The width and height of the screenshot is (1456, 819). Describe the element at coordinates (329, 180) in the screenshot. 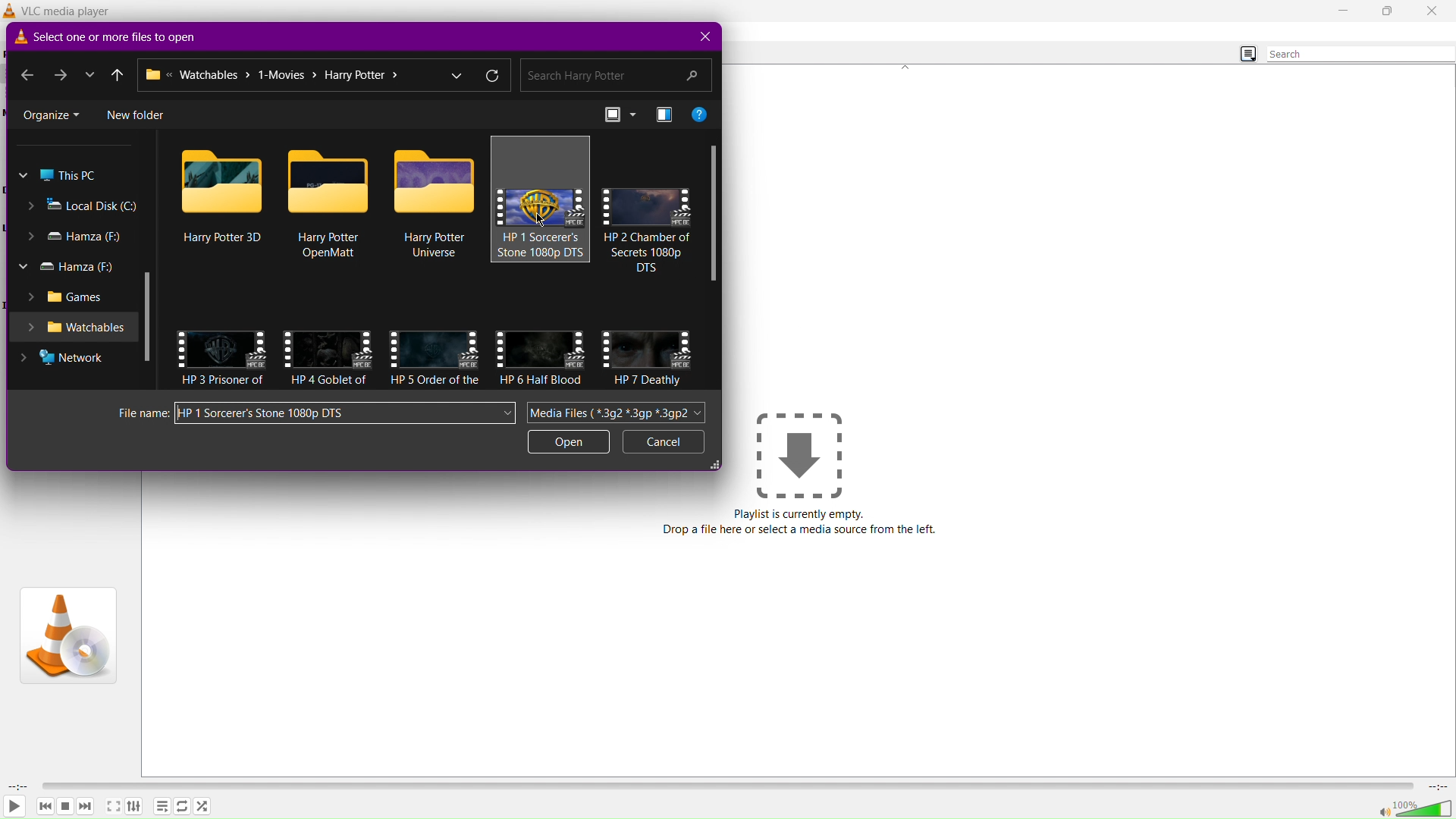

I see `video file` at that location.